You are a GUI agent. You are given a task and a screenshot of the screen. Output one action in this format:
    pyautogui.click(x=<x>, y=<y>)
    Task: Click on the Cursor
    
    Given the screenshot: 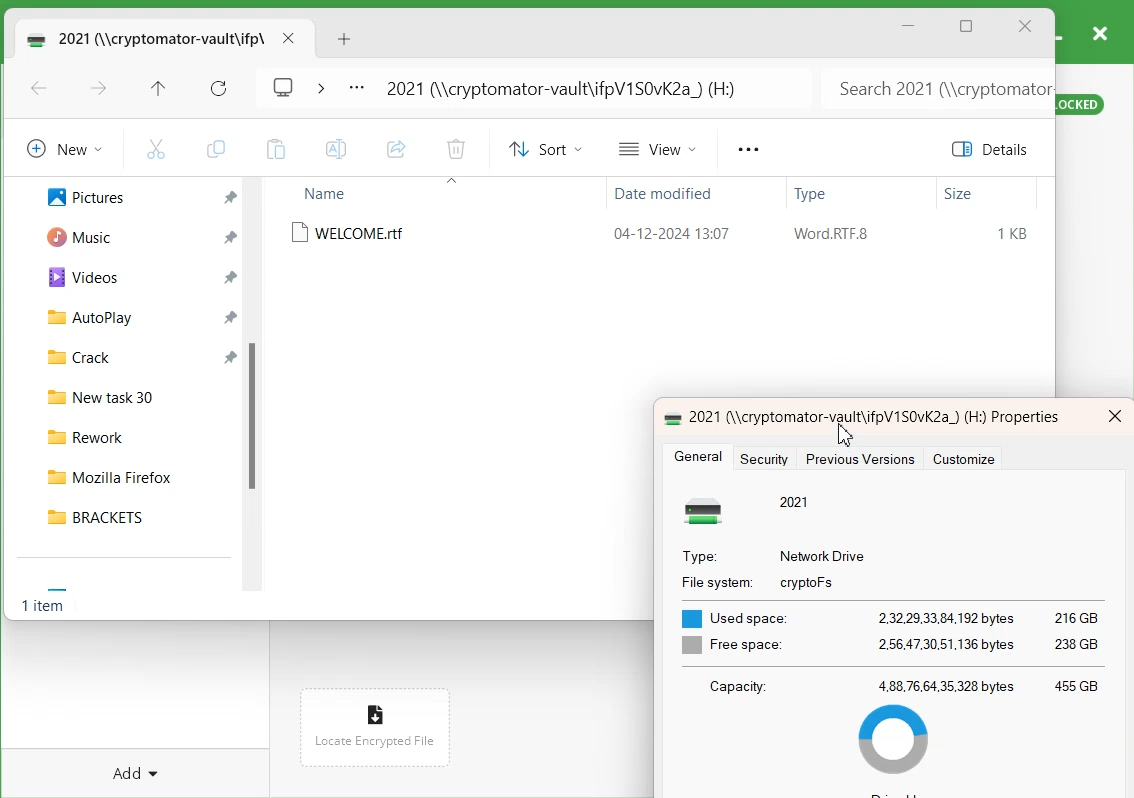 What is the action you would take?
    pyautogui.click(x=845, y=433)
    